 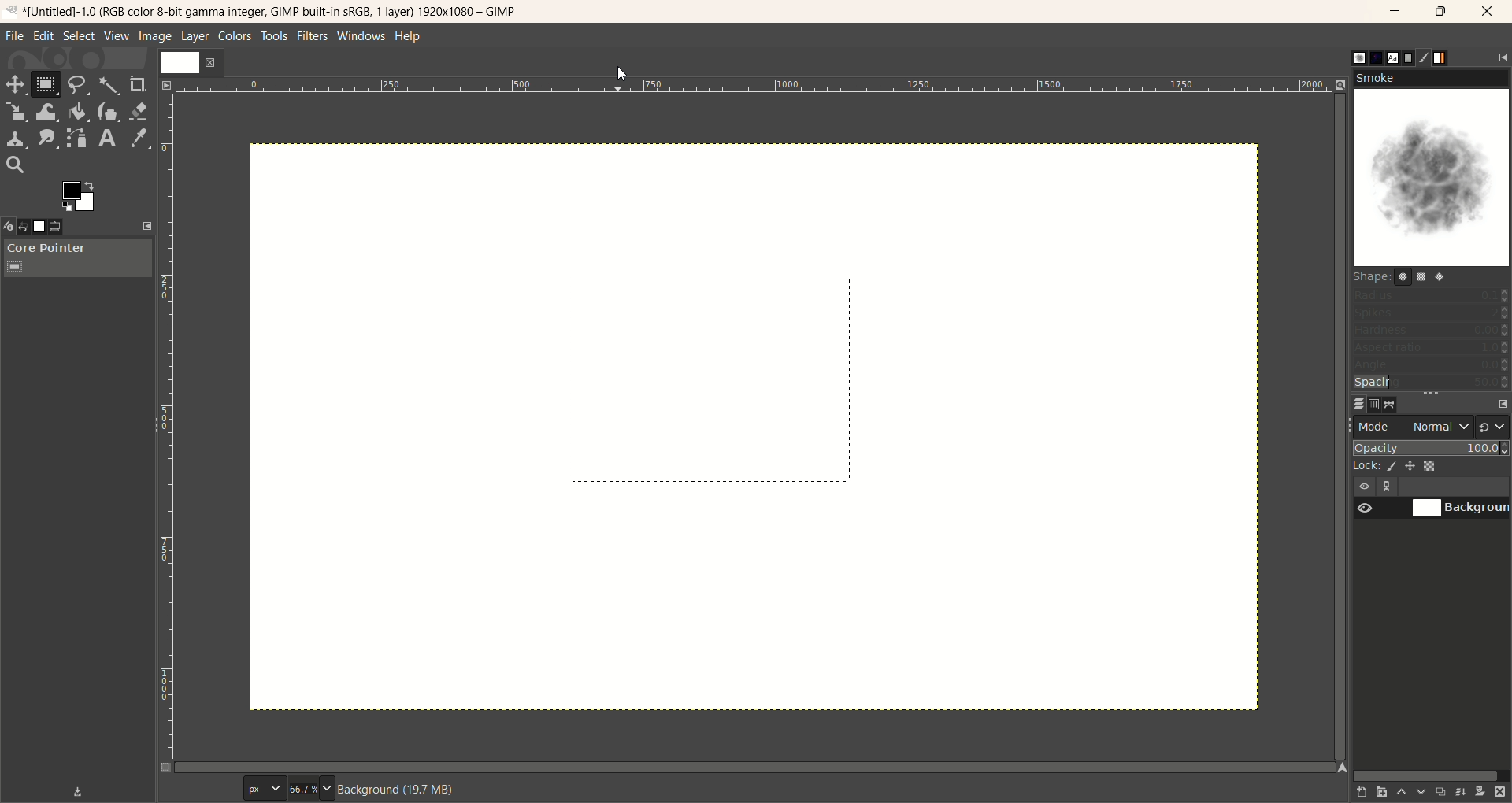 What do you see at coordinates (406, 37) in the screenshot?
I see `help` at bounding box center [406, 37].